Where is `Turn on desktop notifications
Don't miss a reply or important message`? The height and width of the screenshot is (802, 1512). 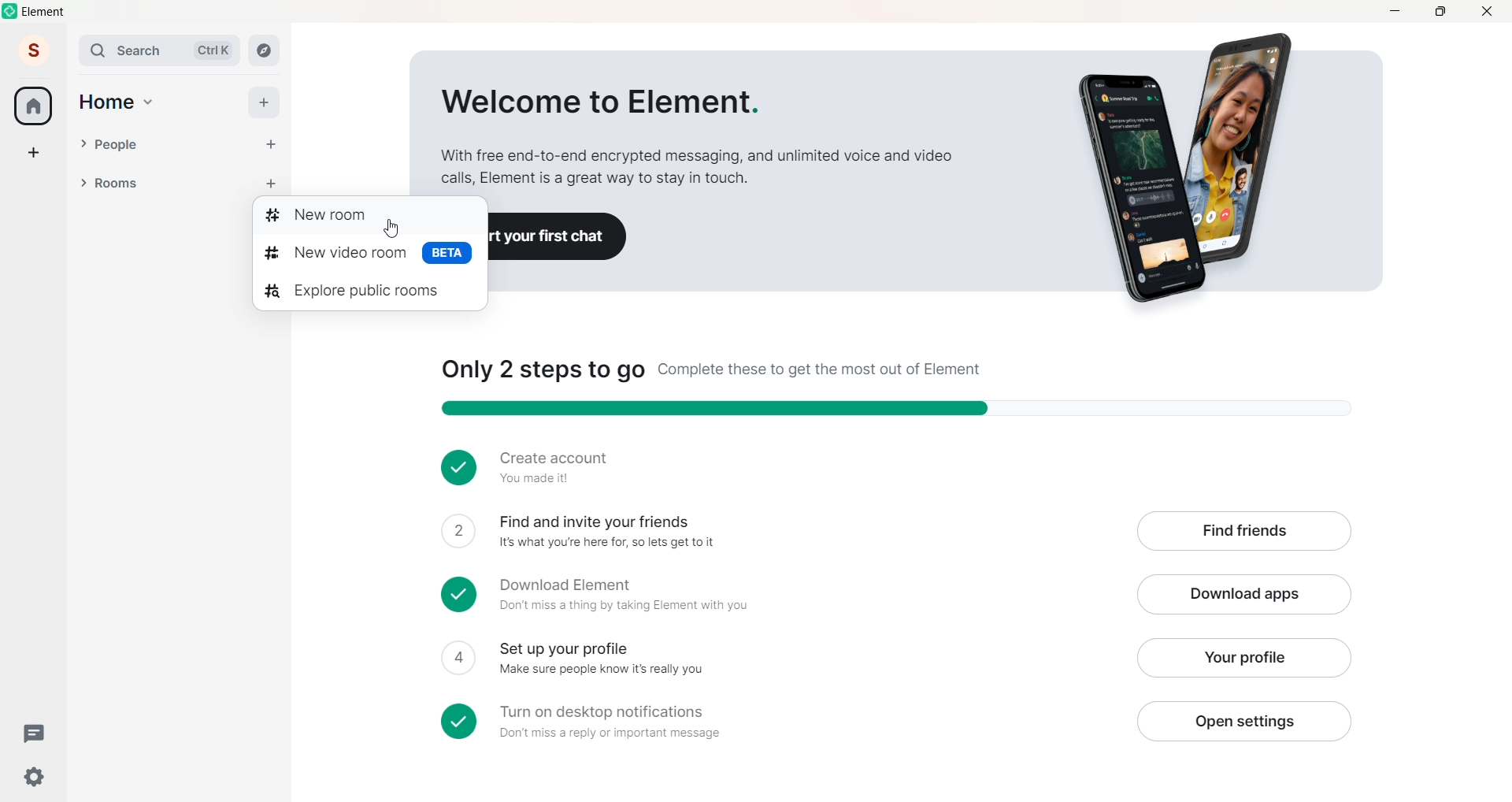 Turn on desktop notifications
Don't miss a reply or important message is located at coordinates (778, 721).